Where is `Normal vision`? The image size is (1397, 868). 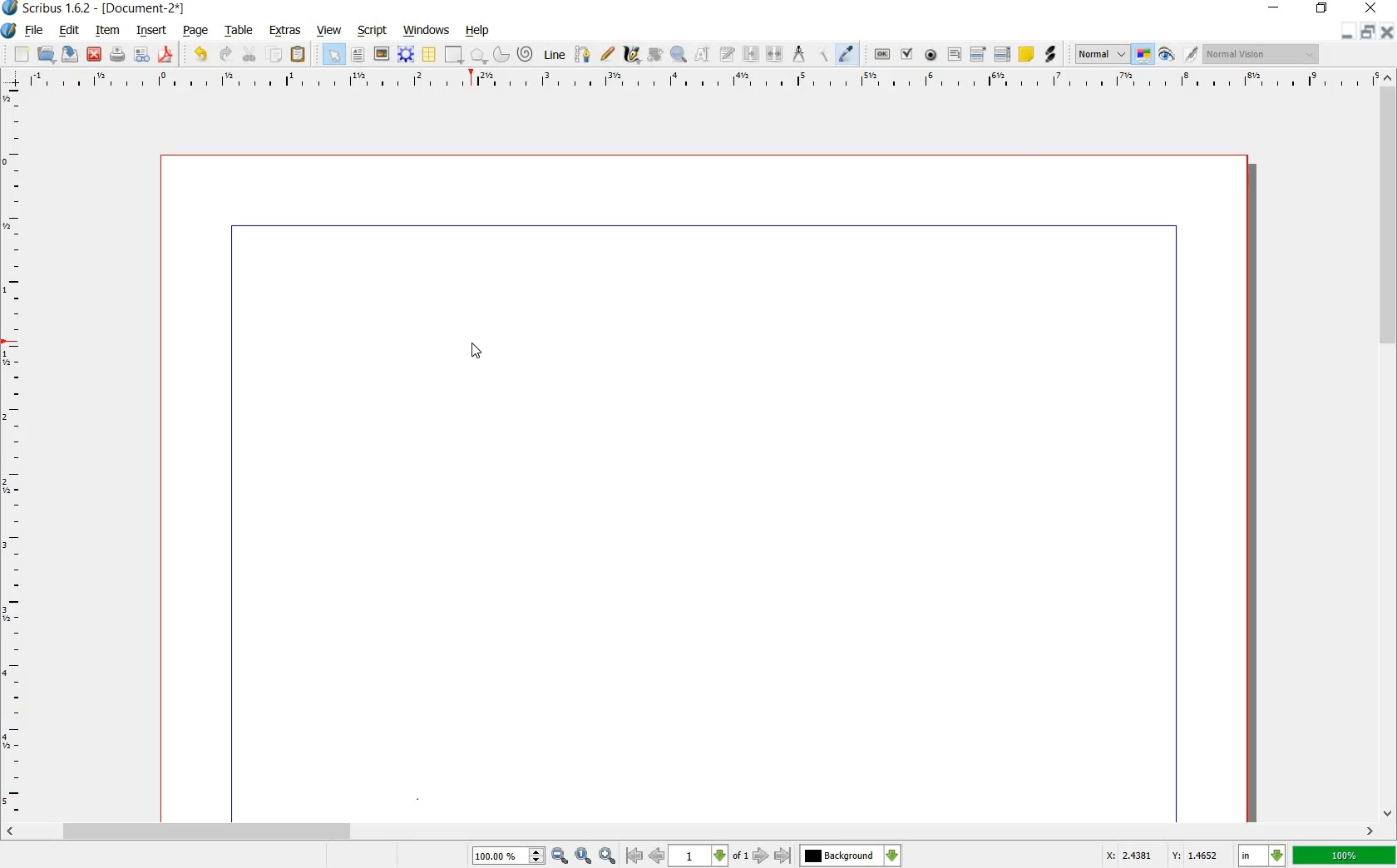 Normal vision is located at coordinates (1260, 54).